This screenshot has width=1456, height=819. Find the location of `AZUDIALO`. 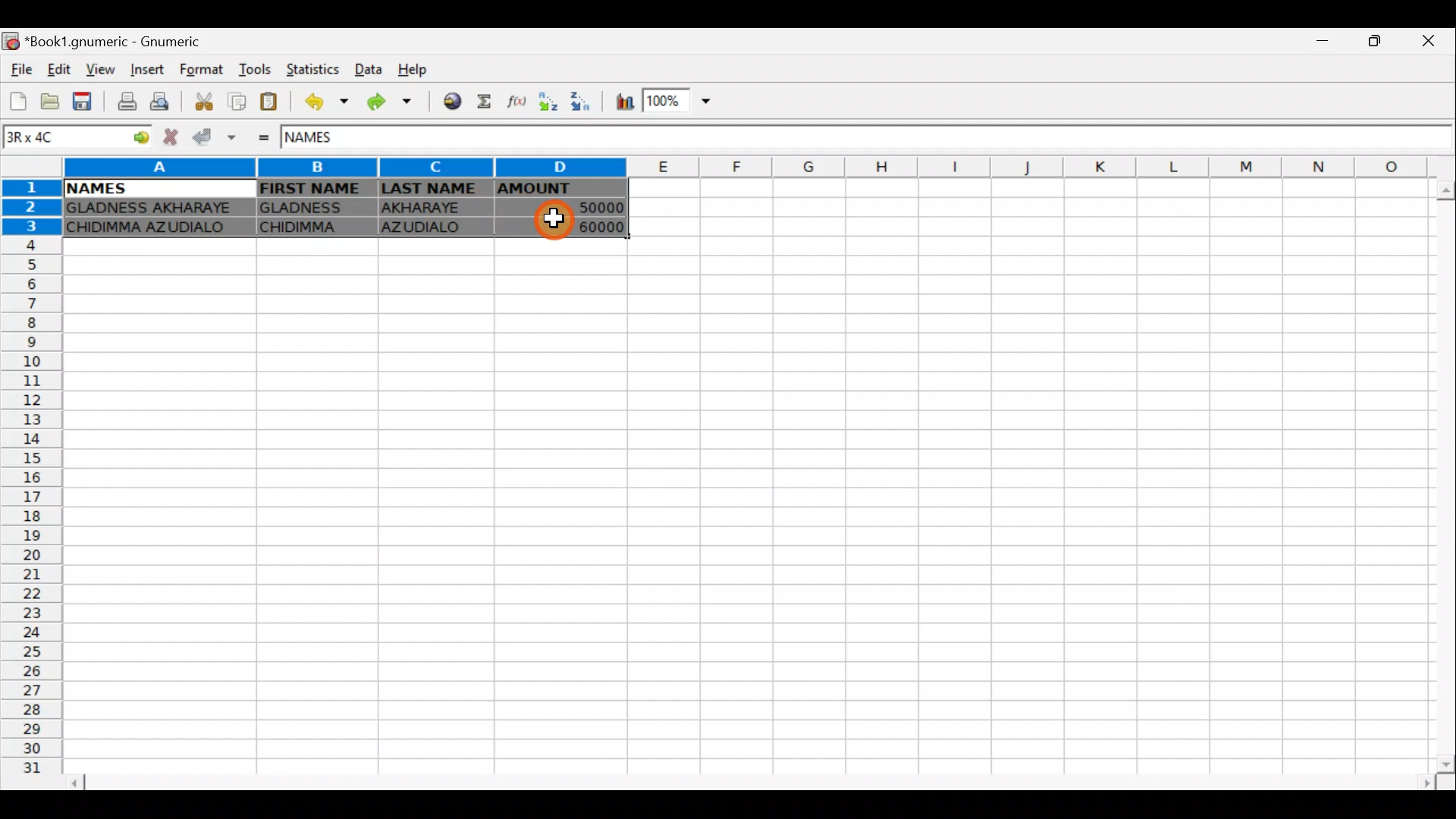

AZUDIALO is located at coordinates (429, 229).